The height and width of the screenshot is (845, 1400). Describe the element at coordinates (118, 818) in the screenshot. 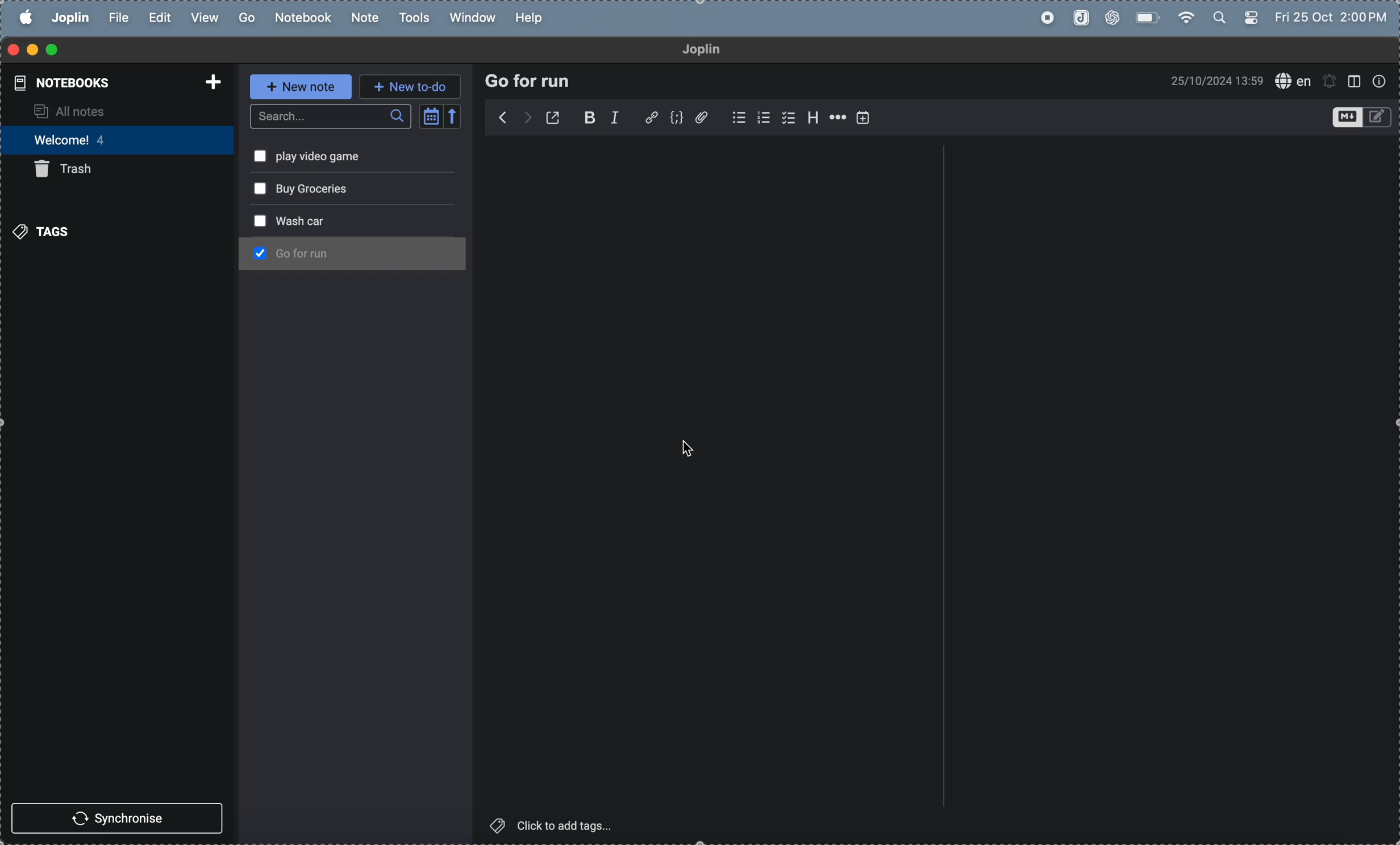

I see `synchronise` at that location.